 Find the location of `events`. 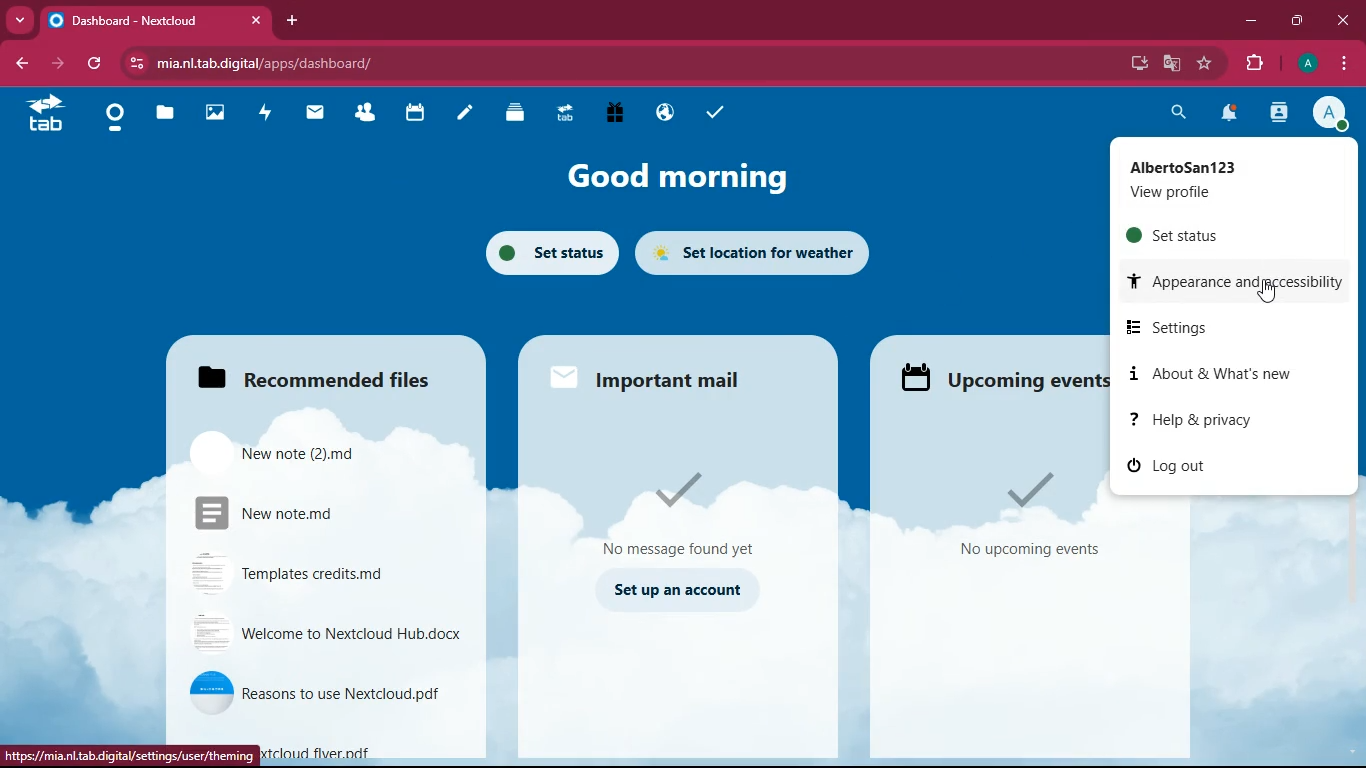

events is located at coordinates (1020, 518).